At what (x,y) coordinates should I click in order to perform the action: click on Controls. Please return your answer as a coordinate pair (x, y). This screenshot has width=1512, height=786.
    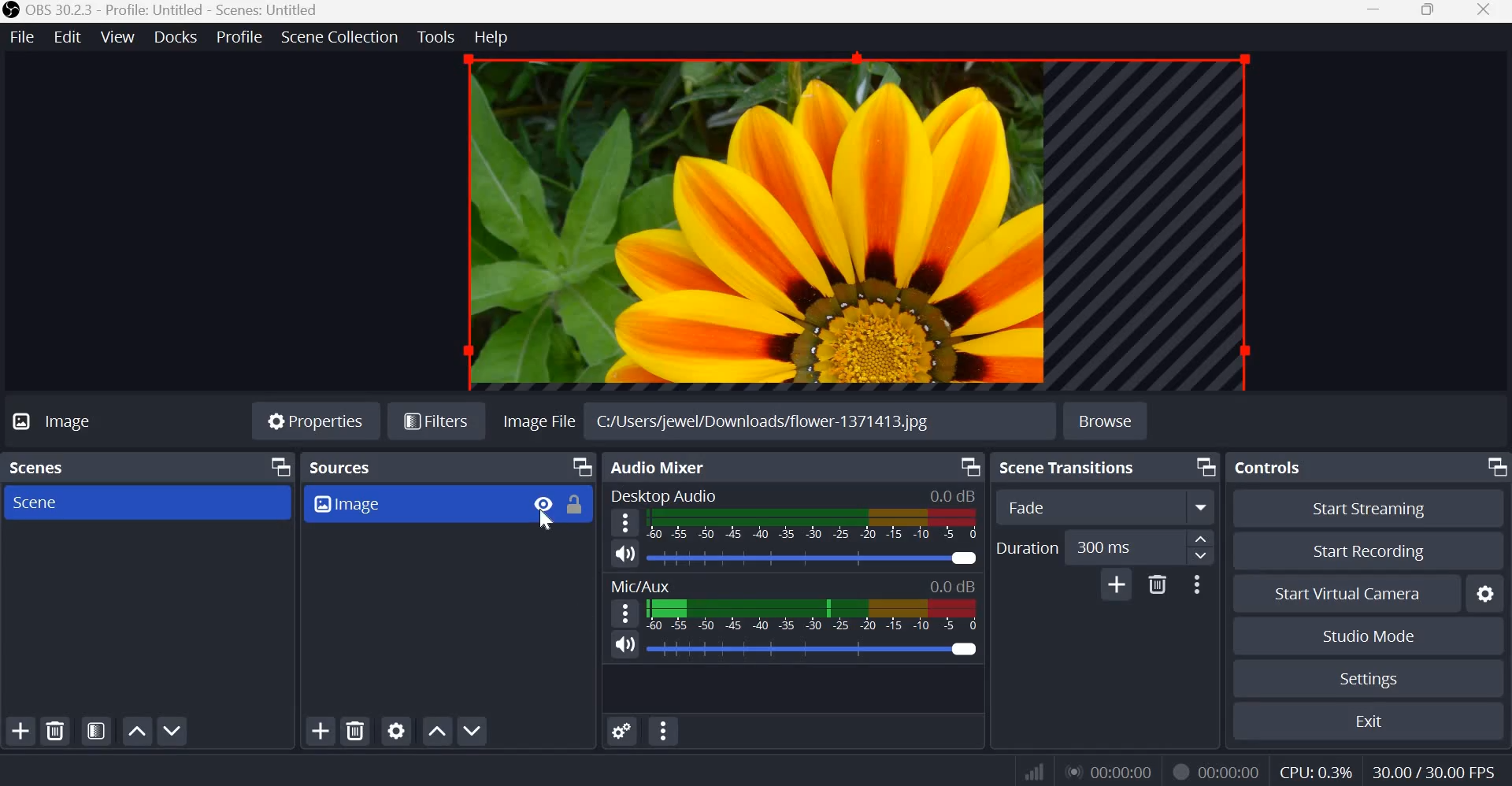
    Looking at the image, I should click on (1275, 466).